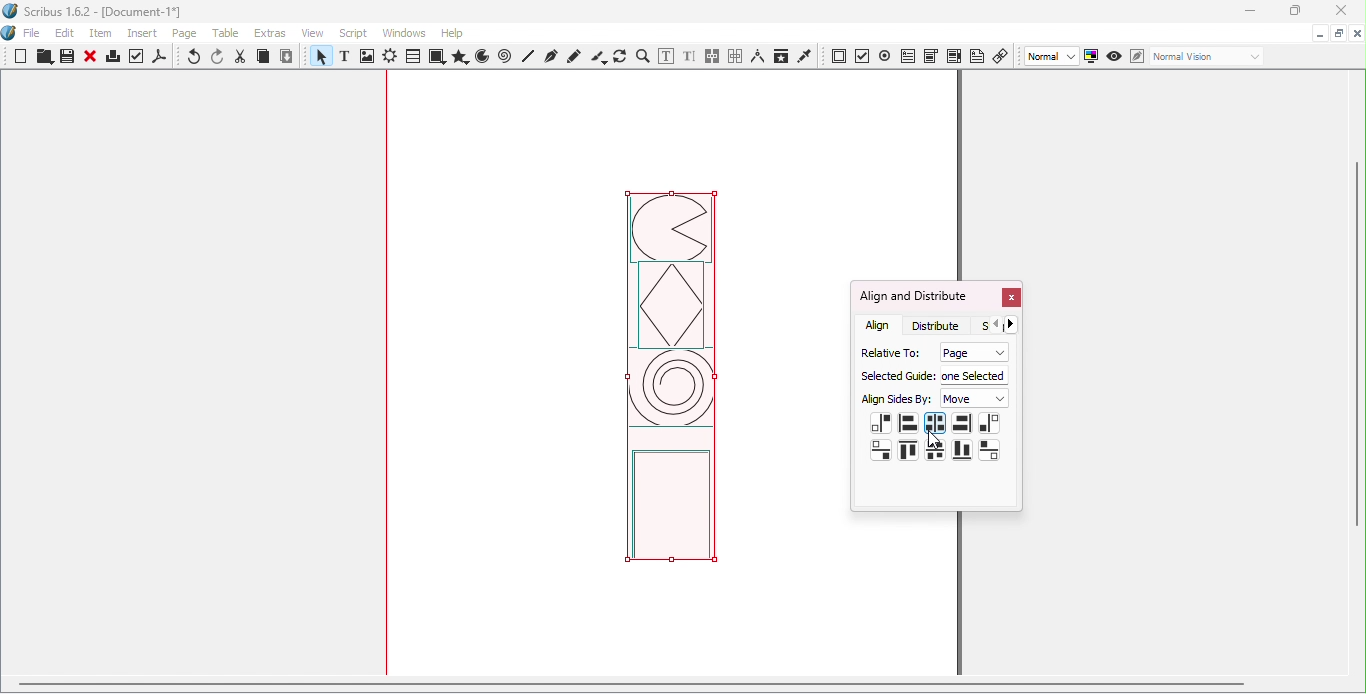 This screenshot has height=694, width=1366. What do you see at coordinates (989, 449) in the screenshot?
I see `Align tops of items to bottom of anchor` at bounding box center [989, 449].